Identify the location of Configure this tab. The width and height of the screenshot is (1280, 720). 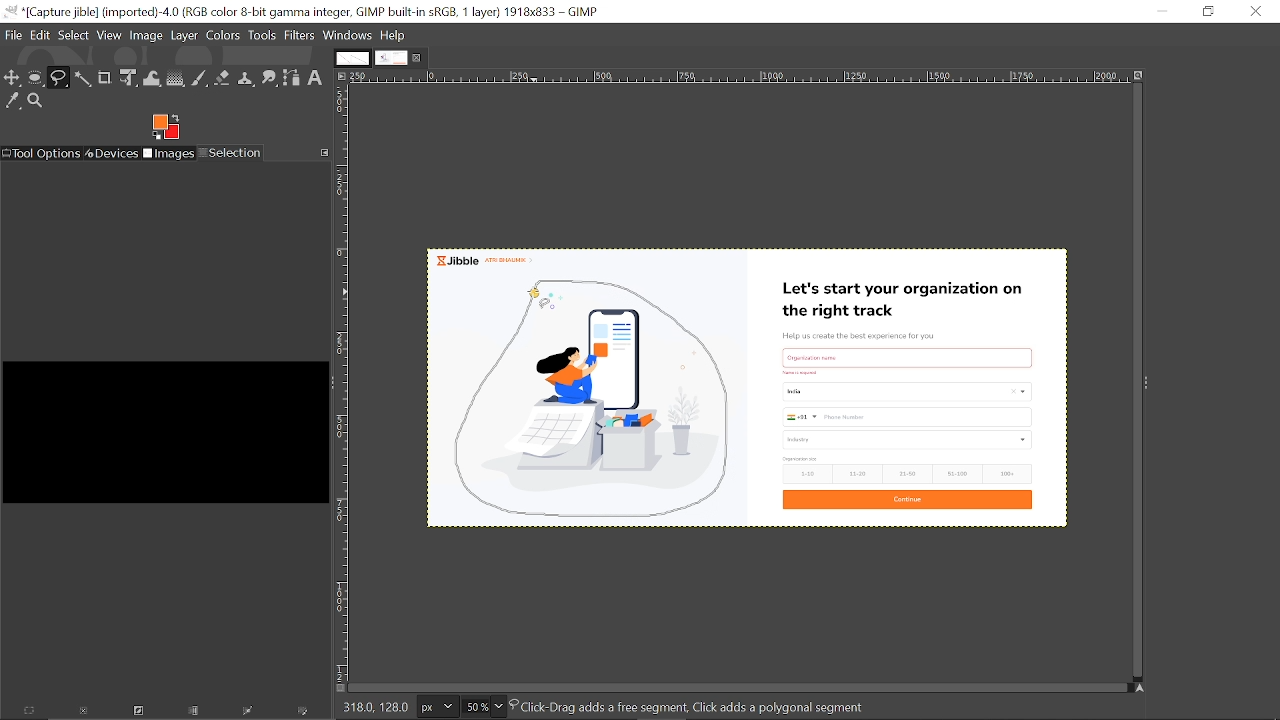
(324, 153).